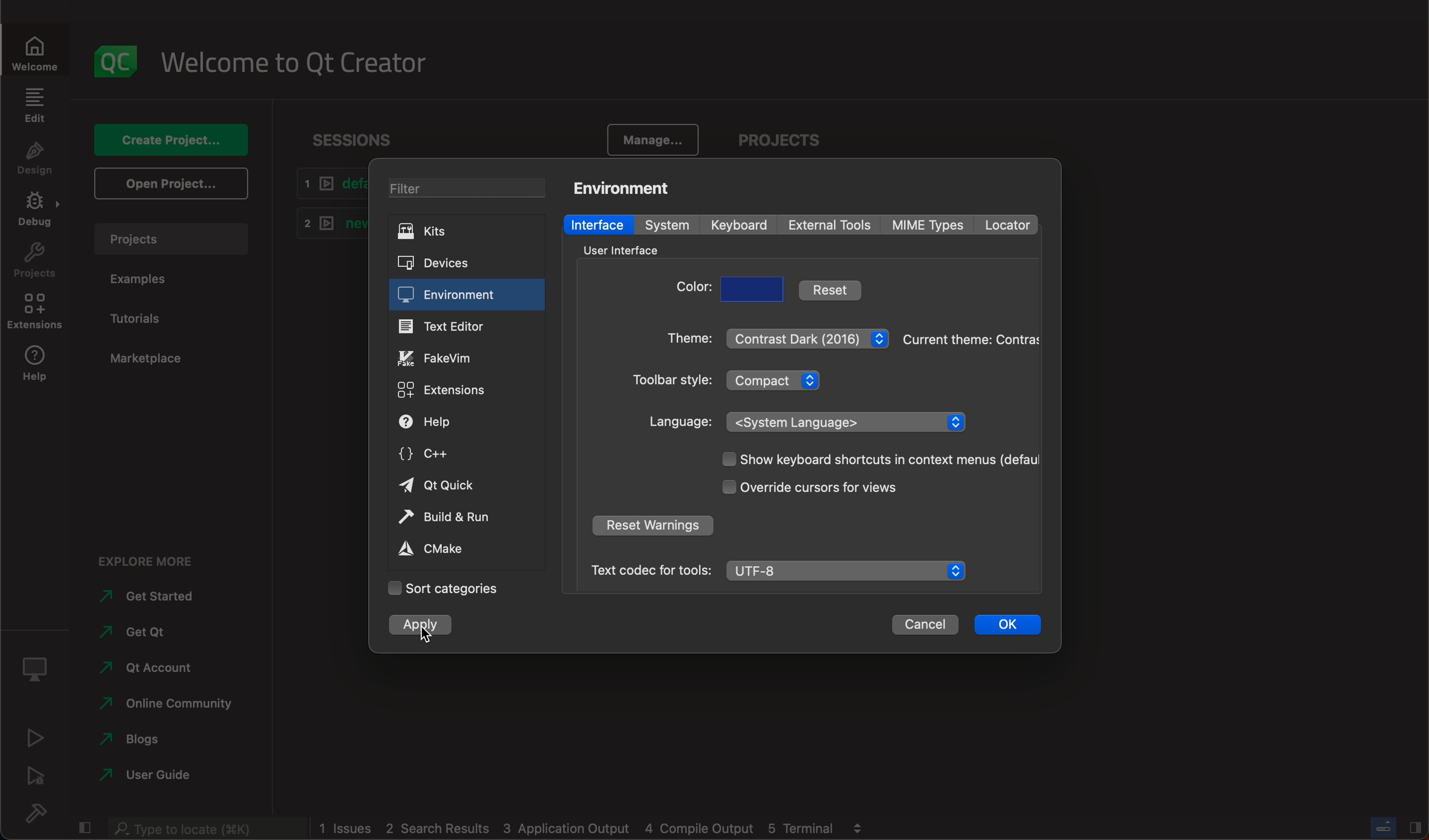  Describe the element at coordinates (742, 225) in the screenshot. I see `keyboard` at that location.